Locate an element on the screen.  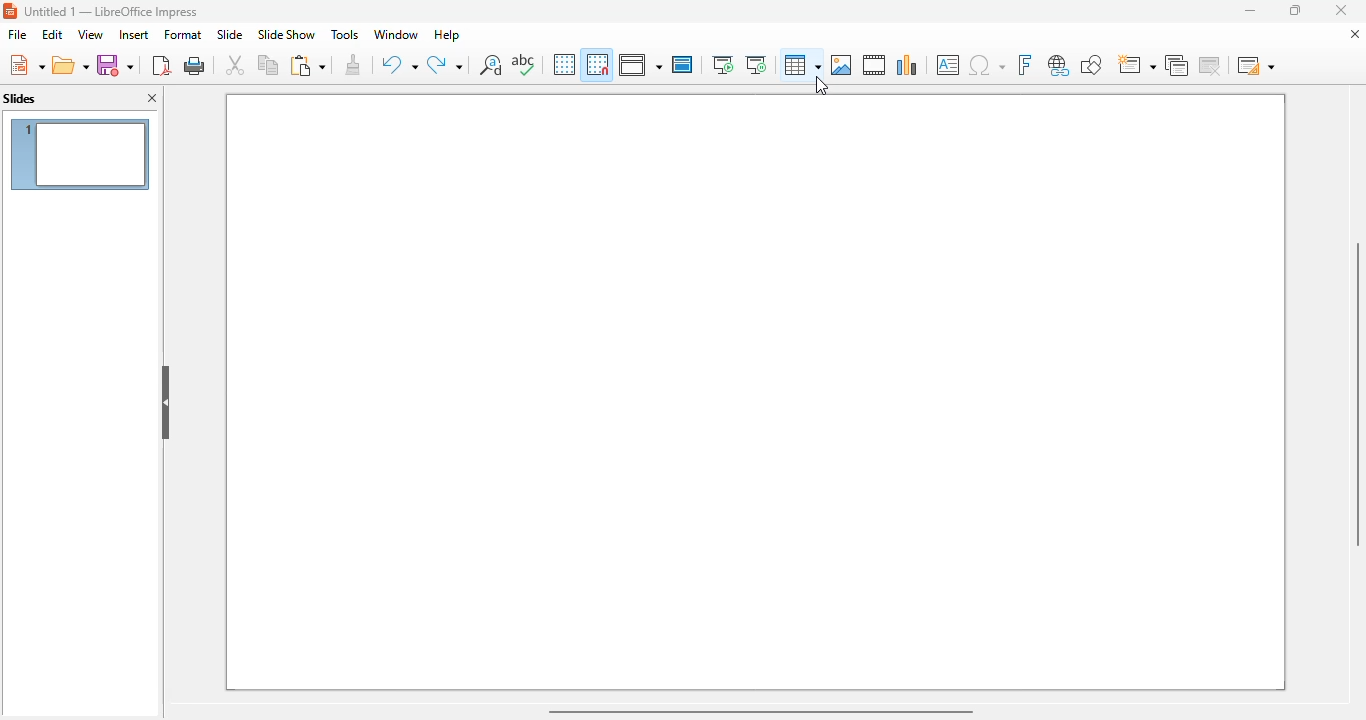
duplicate slide is located at coordinates (1176, 65).